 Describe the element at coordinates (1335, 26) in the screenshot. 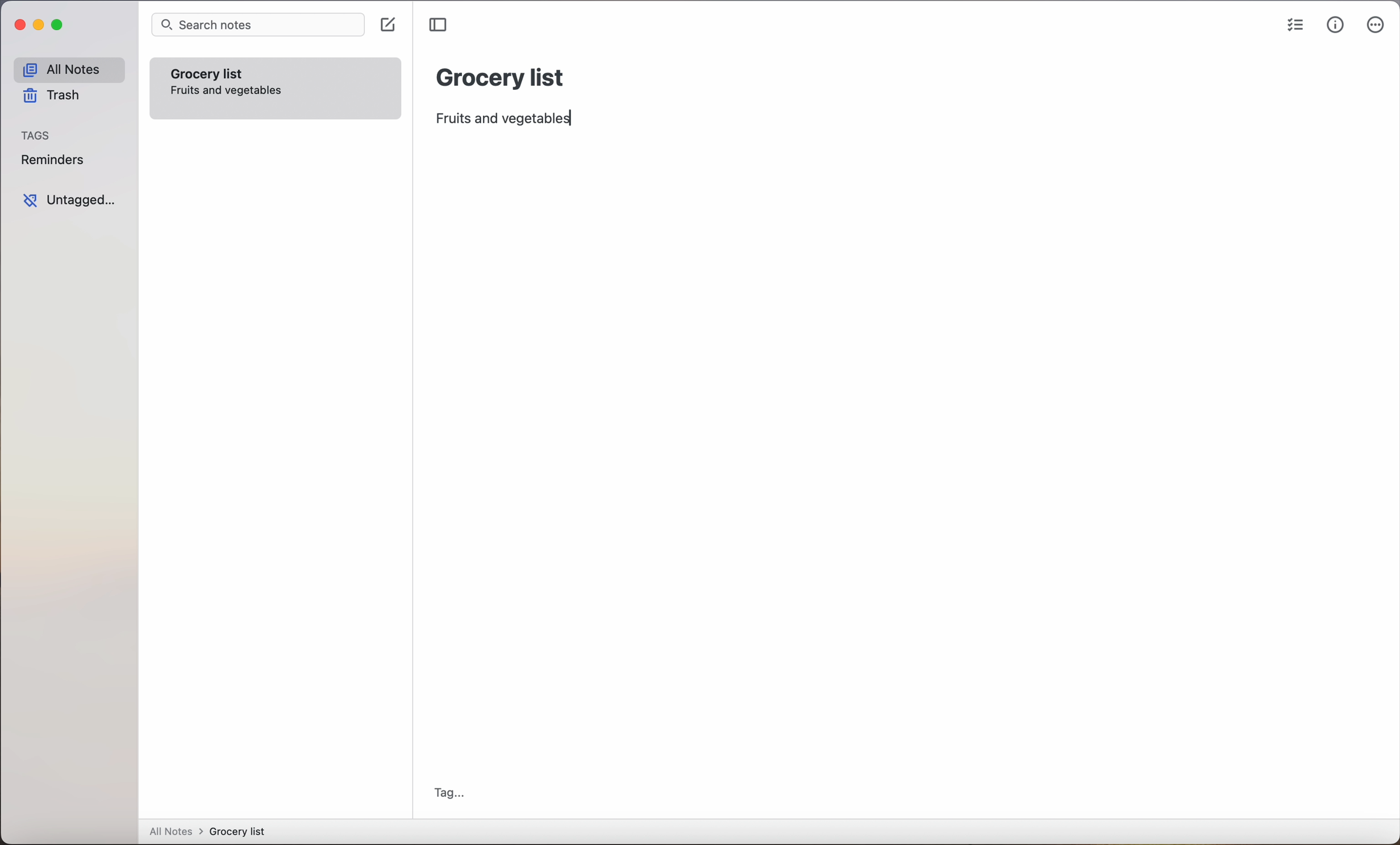

I see `metrics` at that location.